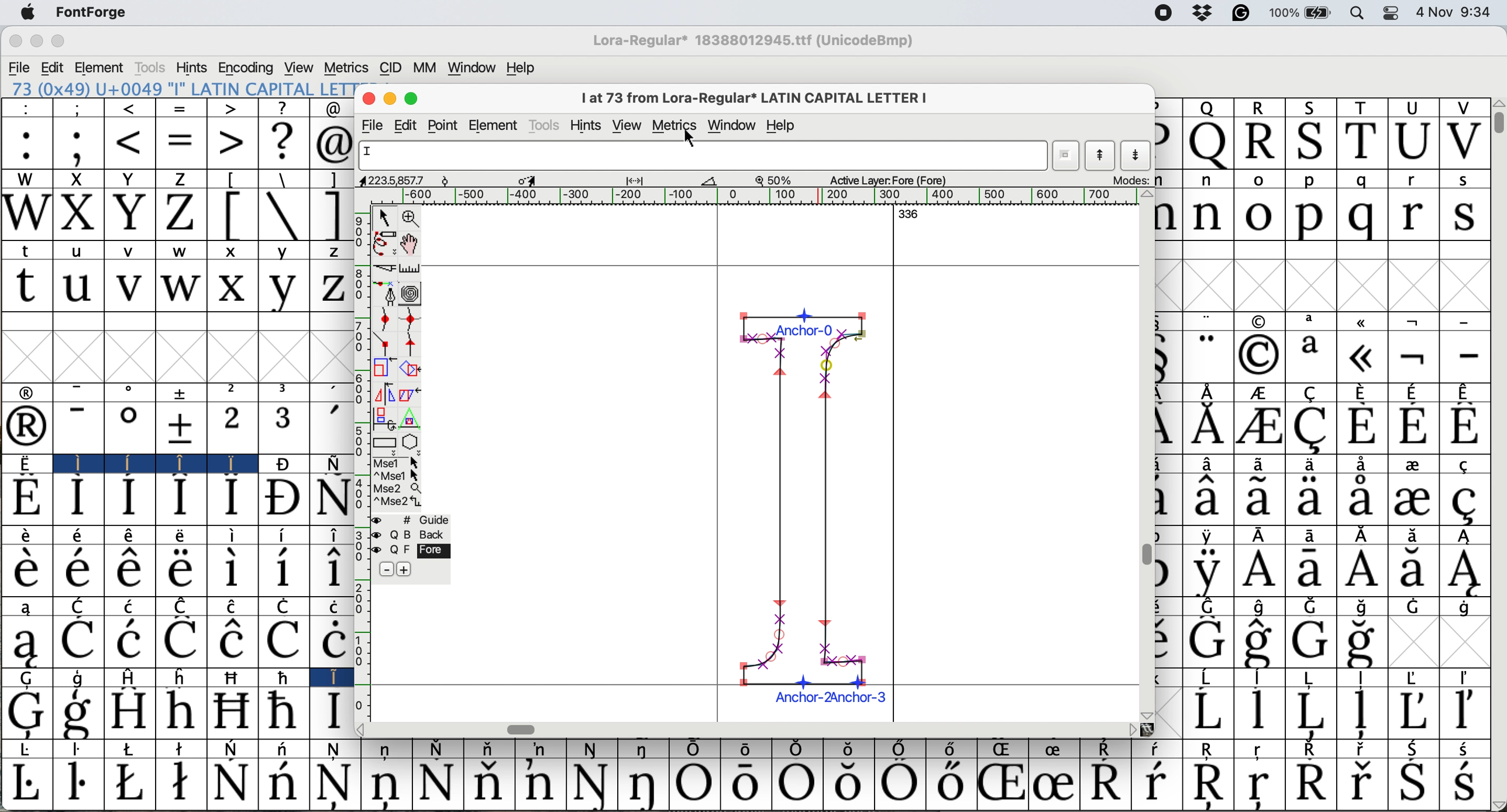  I want to click on T, so click(1363, 142).